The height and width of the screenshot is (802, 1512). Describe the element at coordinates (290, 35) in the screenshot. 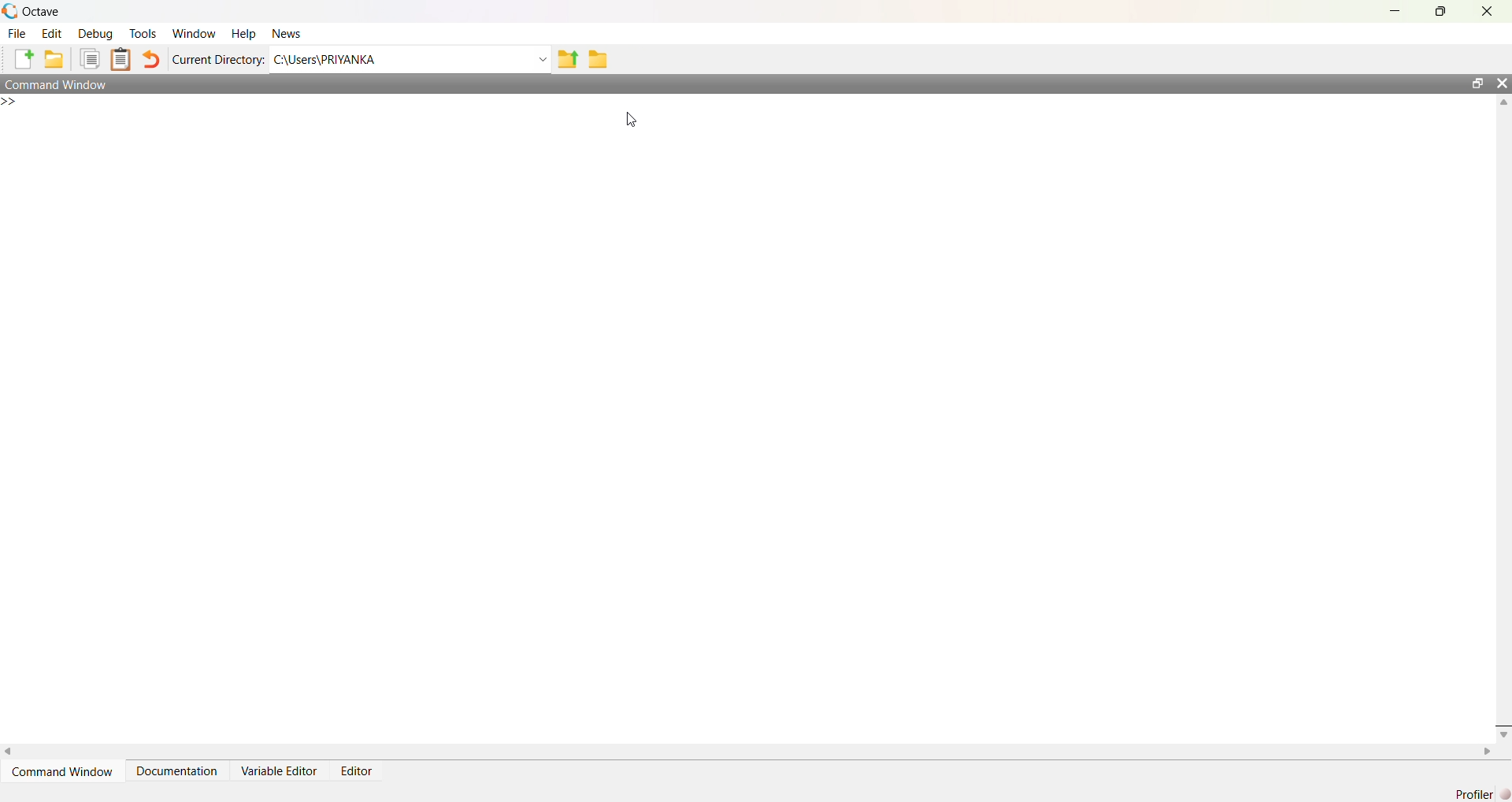

I see `News` at that location.